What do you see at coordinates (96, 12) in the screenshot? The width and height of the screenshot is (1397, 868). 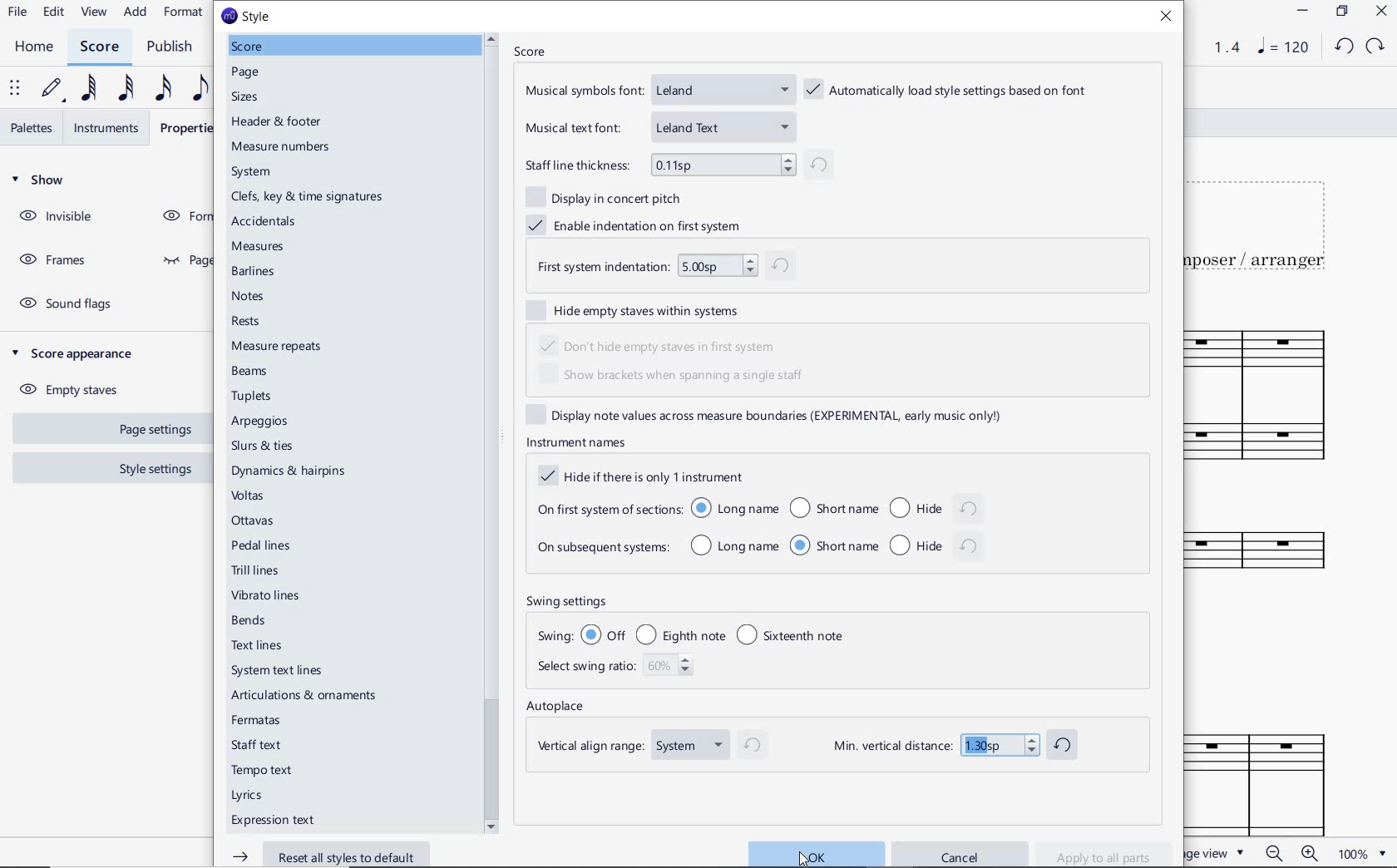 I see `VIEW` at bounding box center [96, 12].